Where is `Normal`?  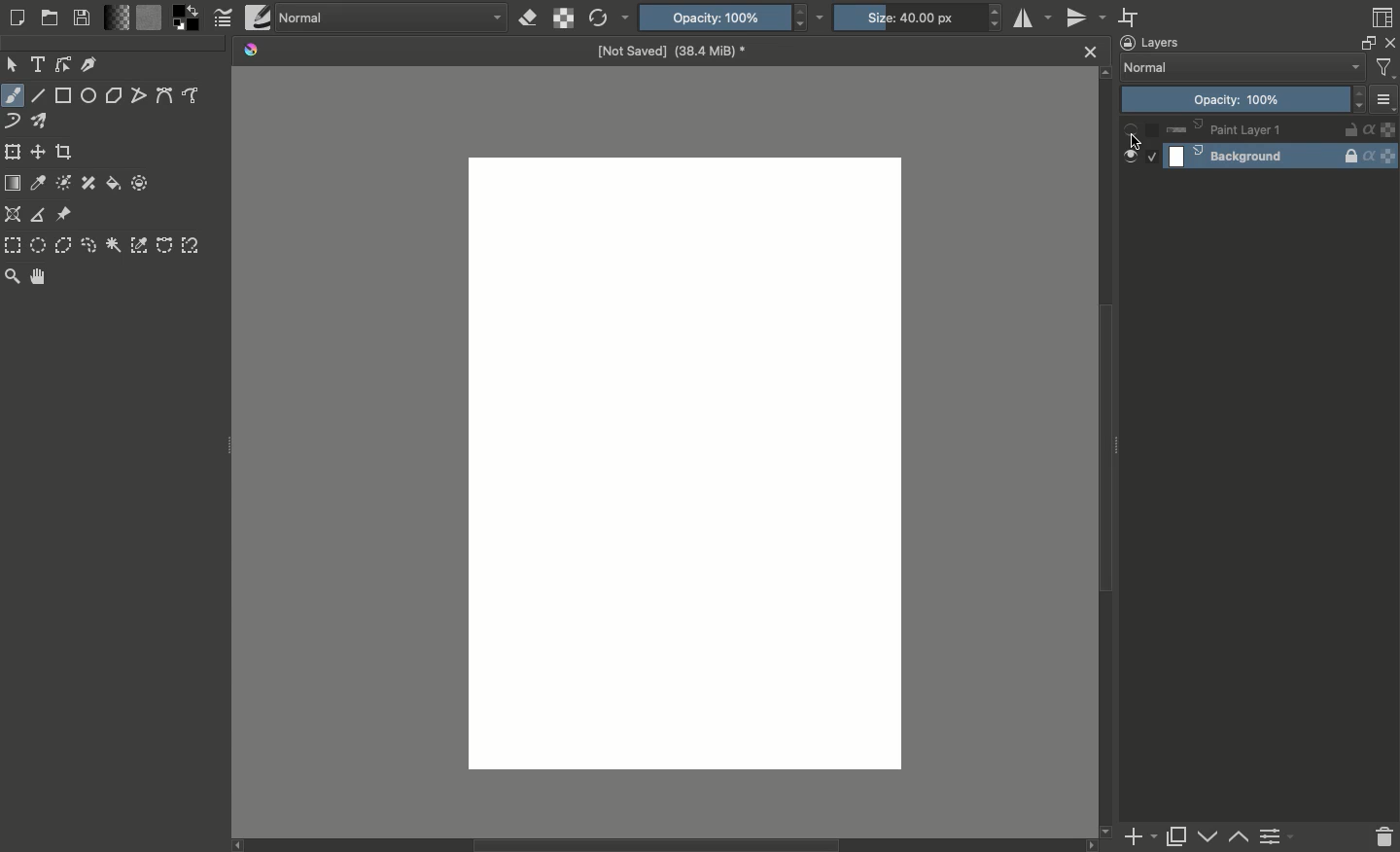
Normal is located at coordinates (1246, 68).